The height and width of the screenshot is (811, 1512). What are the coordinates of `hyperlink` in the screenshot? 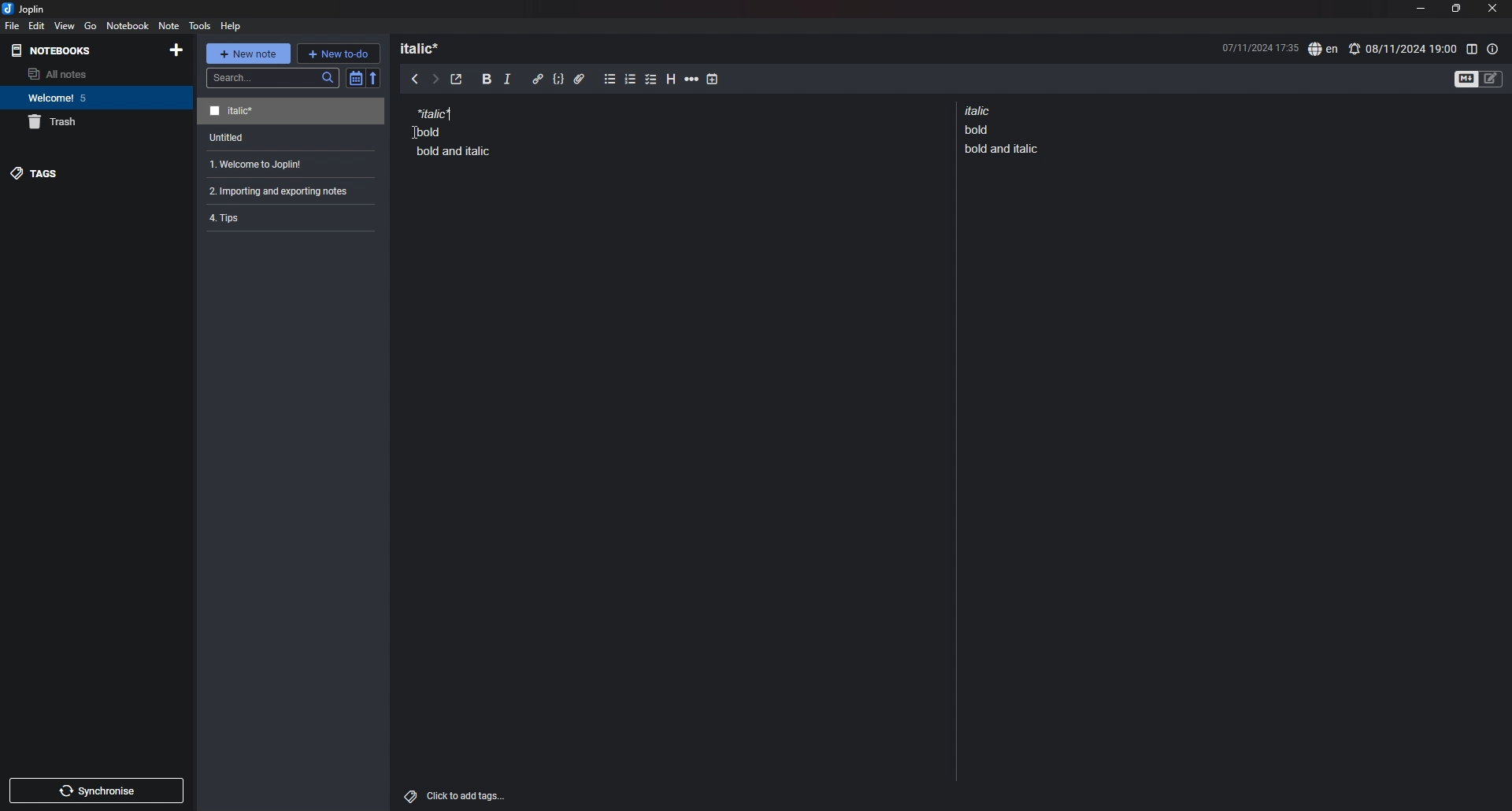 It's located at (538, 79).